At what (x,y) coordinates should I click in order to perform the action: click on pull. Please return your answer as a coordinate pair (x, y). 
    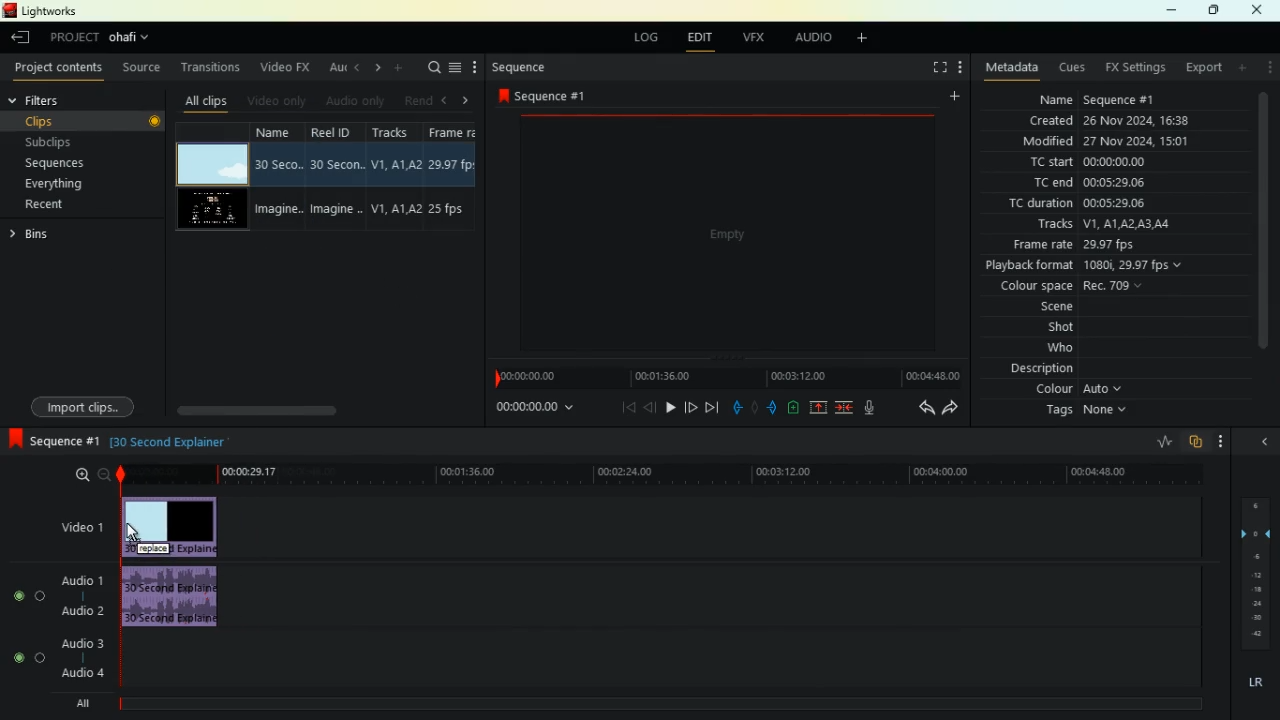
    Looking at the image, I should click on (734, 405).